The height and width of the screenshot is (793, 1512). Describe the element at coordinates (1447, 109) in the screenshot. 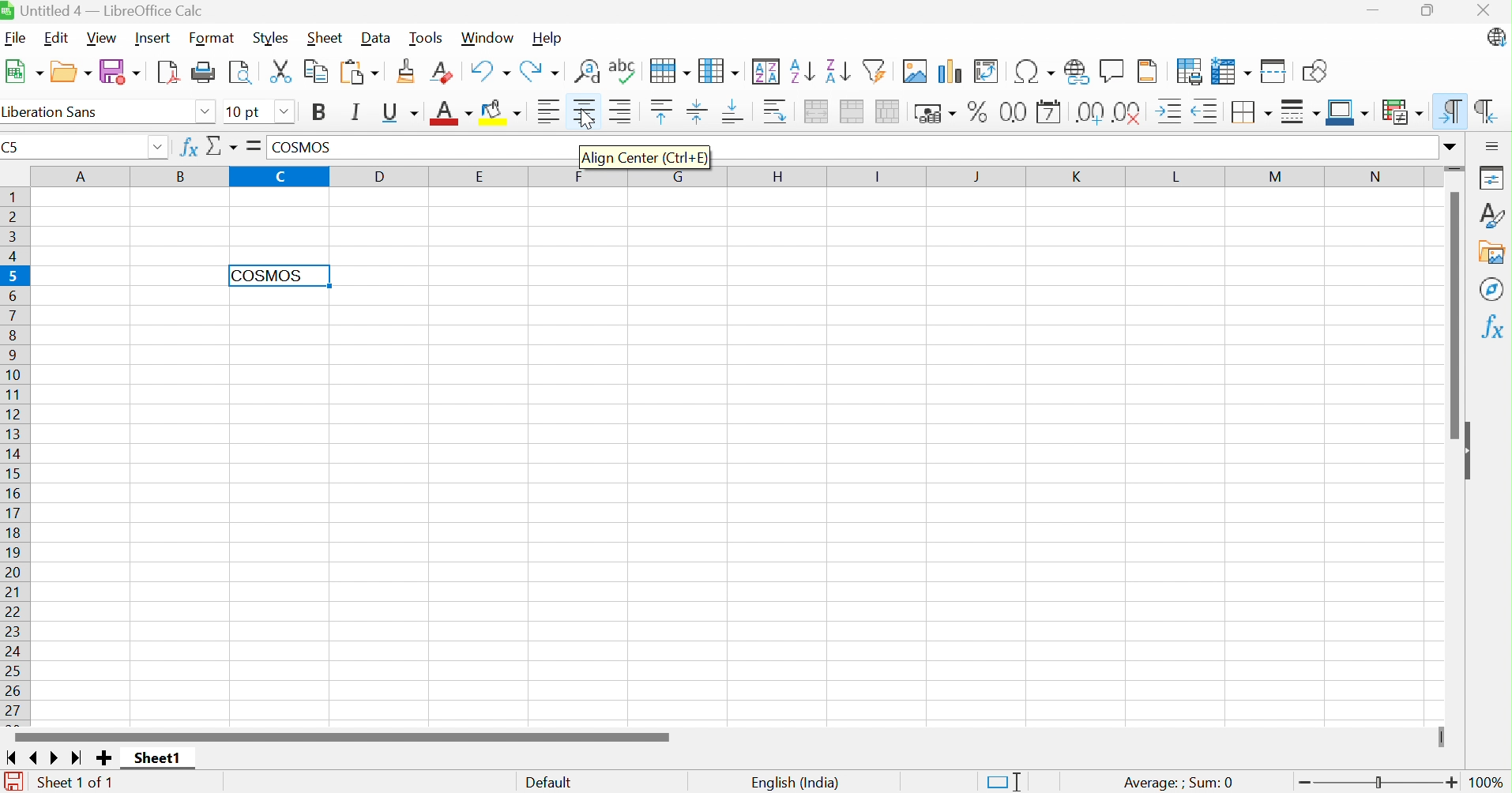

I see `Left-To-Right` at that location.